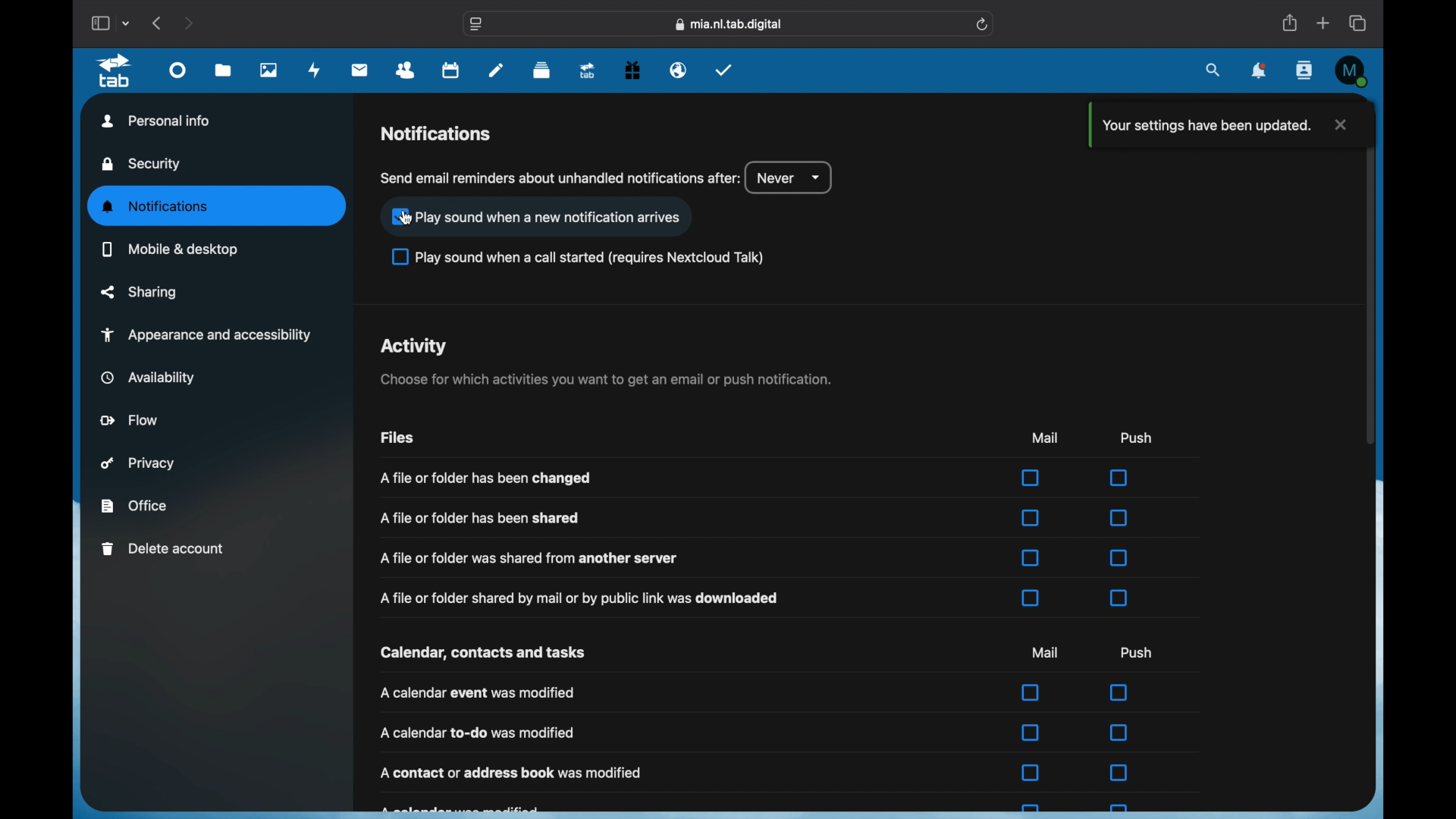 This screenshot has height=819, width=1456. What do you see at coordinates (478, 733) in the screenshot?
I see `a calender to do was magnified` at bounding box center [478, 733].